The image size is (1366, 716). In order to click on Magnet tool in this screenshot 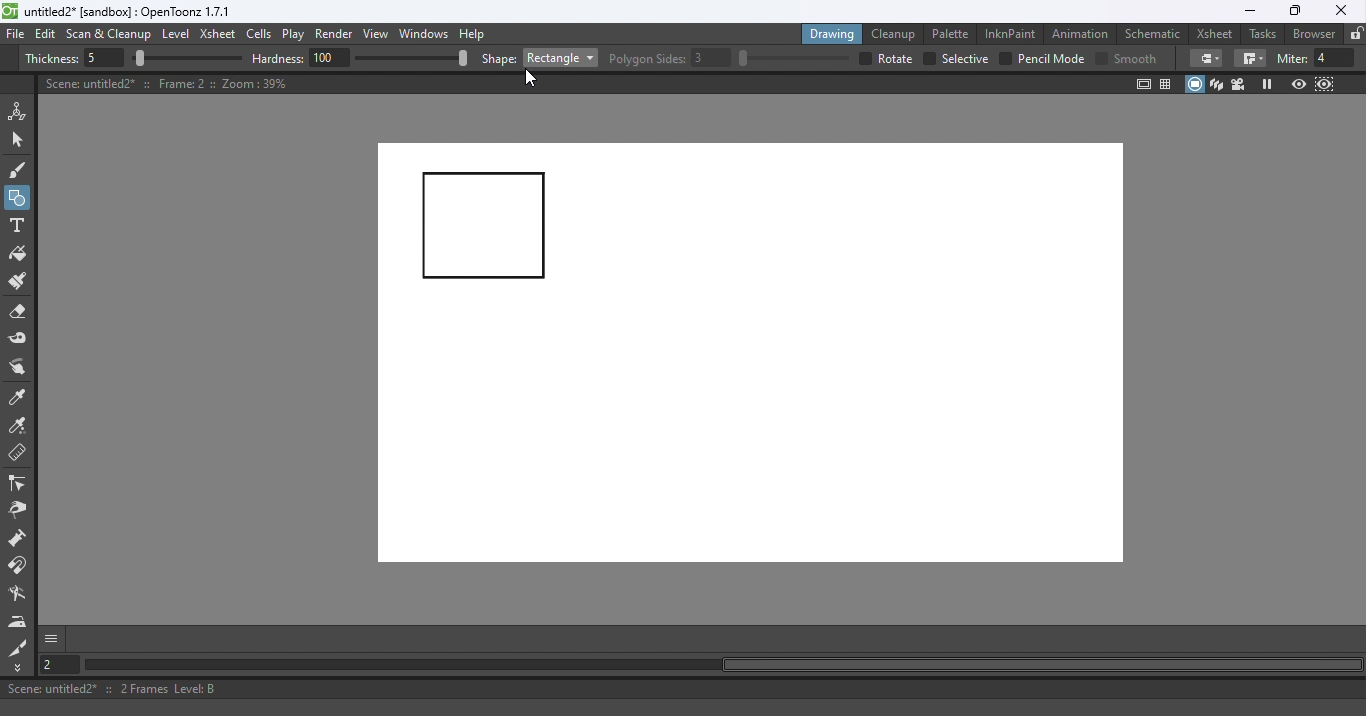, I will do `click(19, 540)`.